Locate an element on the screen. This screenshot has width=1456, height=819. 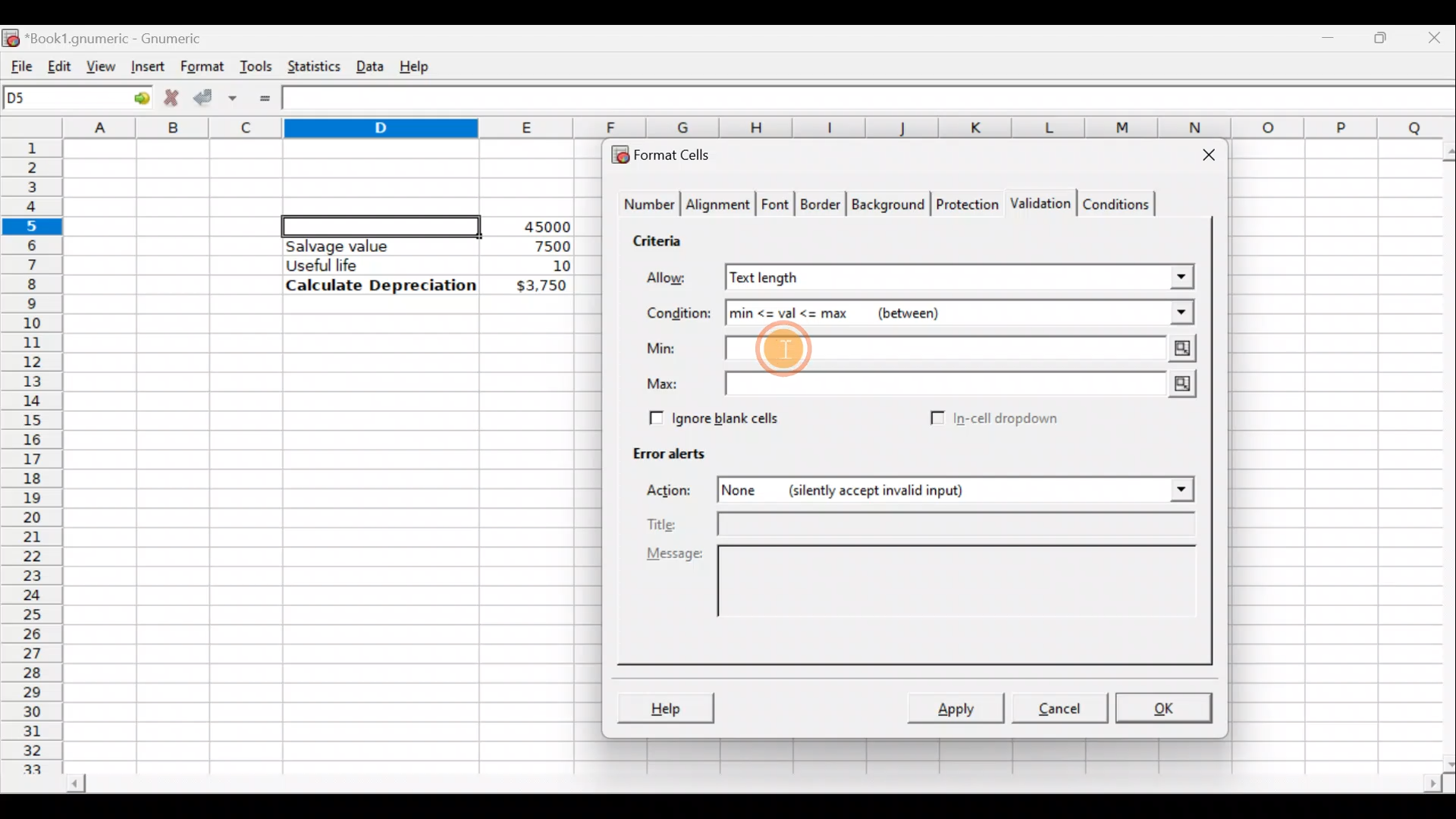
Min is located at coordinates (664, 348).